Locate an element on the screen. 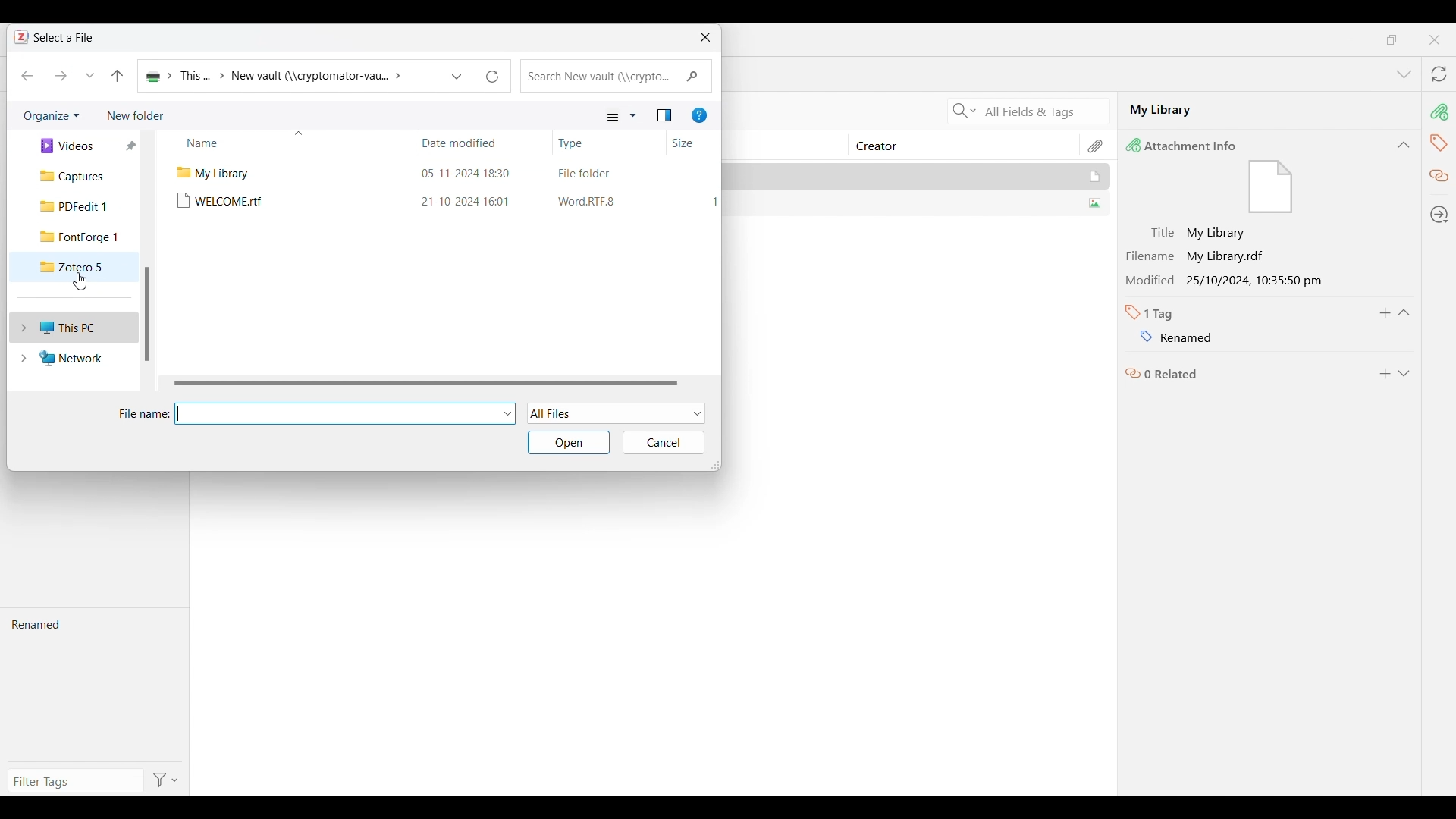  Organize current folder is located at coordinates (52, 117).